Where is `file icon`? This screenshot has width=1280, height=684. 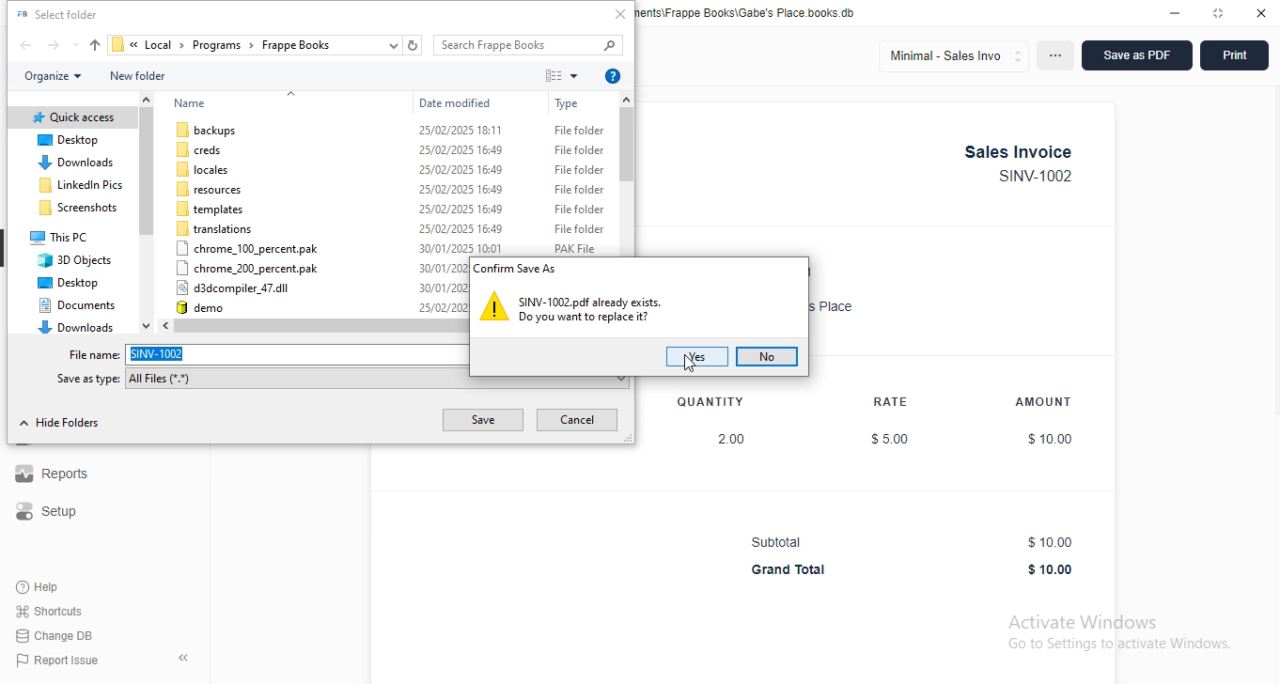
file icon is located at coordinates (118, 44).